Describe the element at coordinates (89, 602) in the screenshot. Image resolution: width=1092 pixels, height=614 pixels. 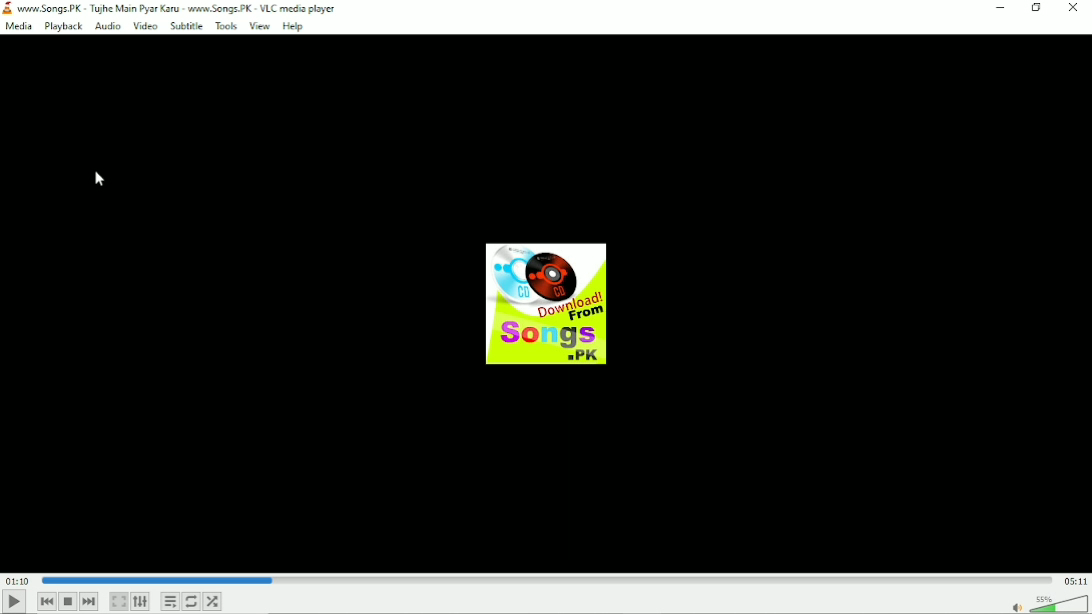
I see `Next` at that location.